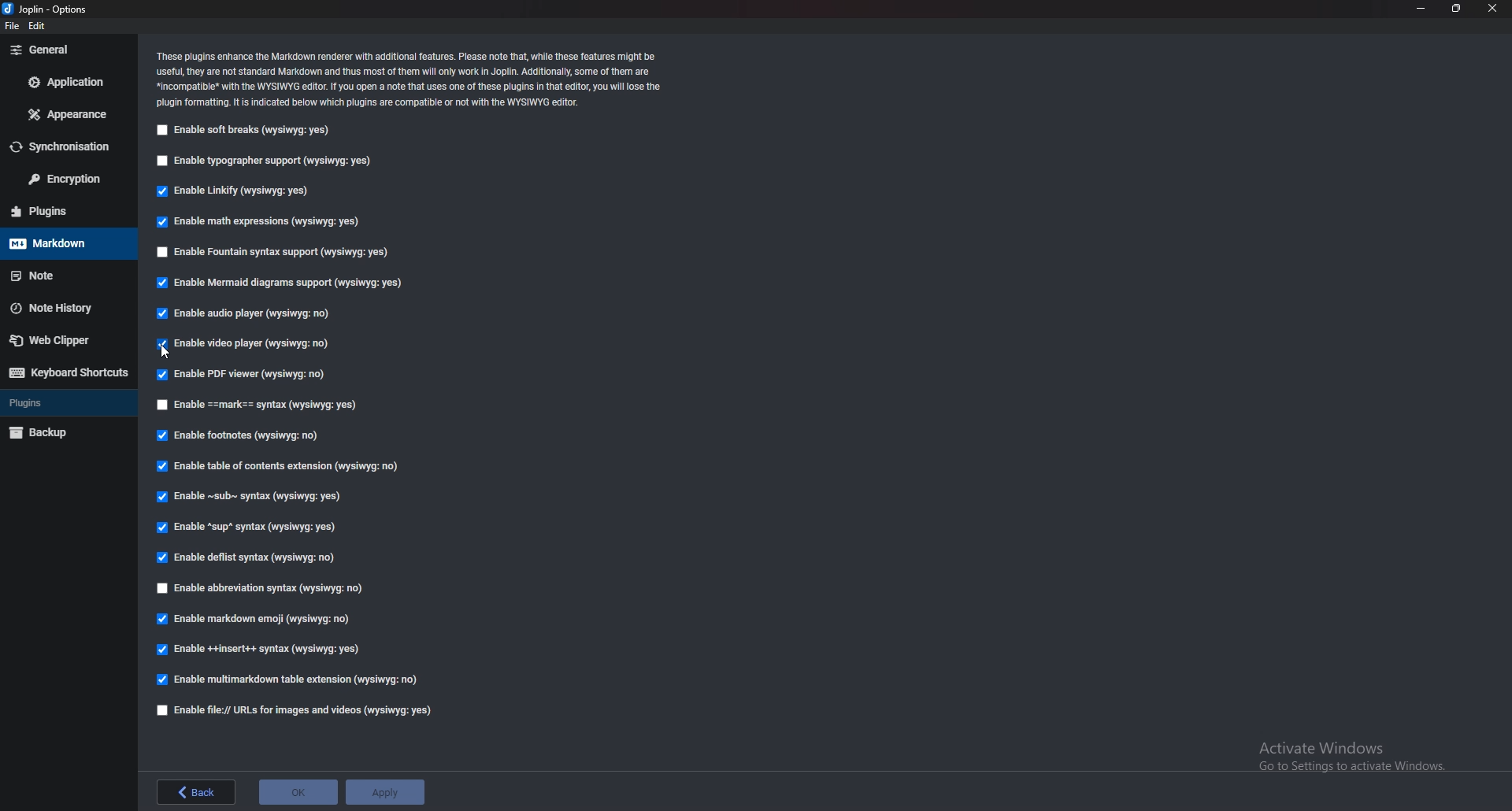 The image size is (1512, 811). What do you see at coordinates (247, 314) in the screenshot?
I see `Enable audio player (wysiqyg:no)` at bounding box center [247, 314].